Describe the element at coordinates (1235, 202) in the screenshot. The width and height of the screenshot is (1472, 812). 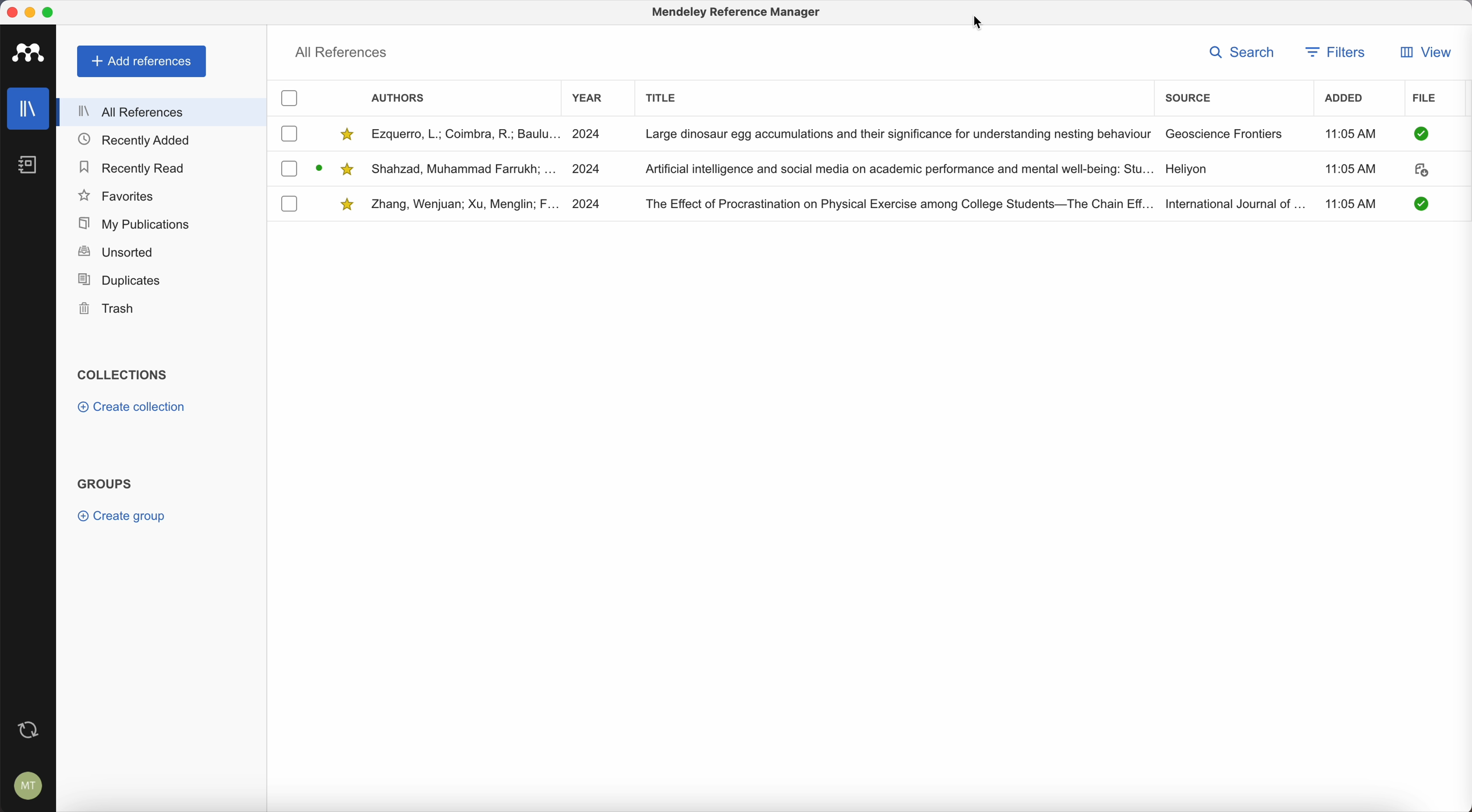
I see `International Journal of...` at that location.